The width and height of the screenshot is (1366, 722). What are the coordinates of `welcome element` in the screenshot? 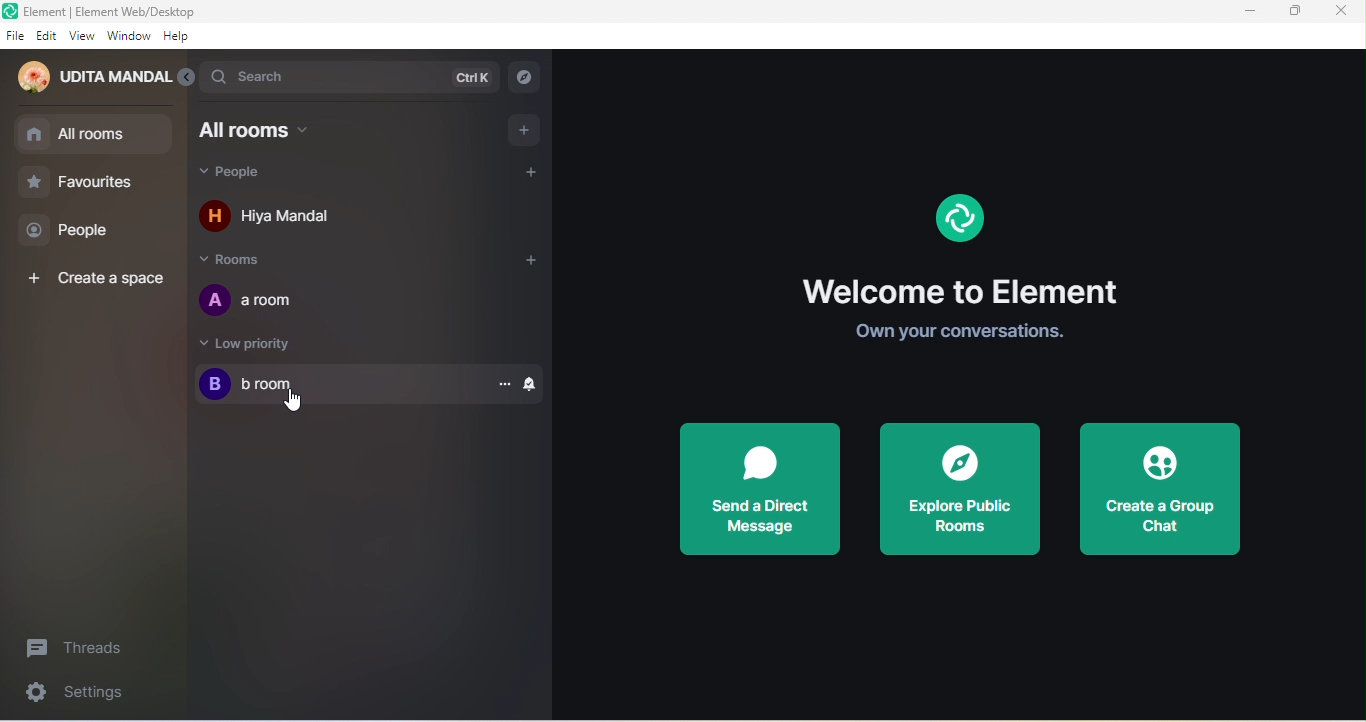 It's located at (961, 308).